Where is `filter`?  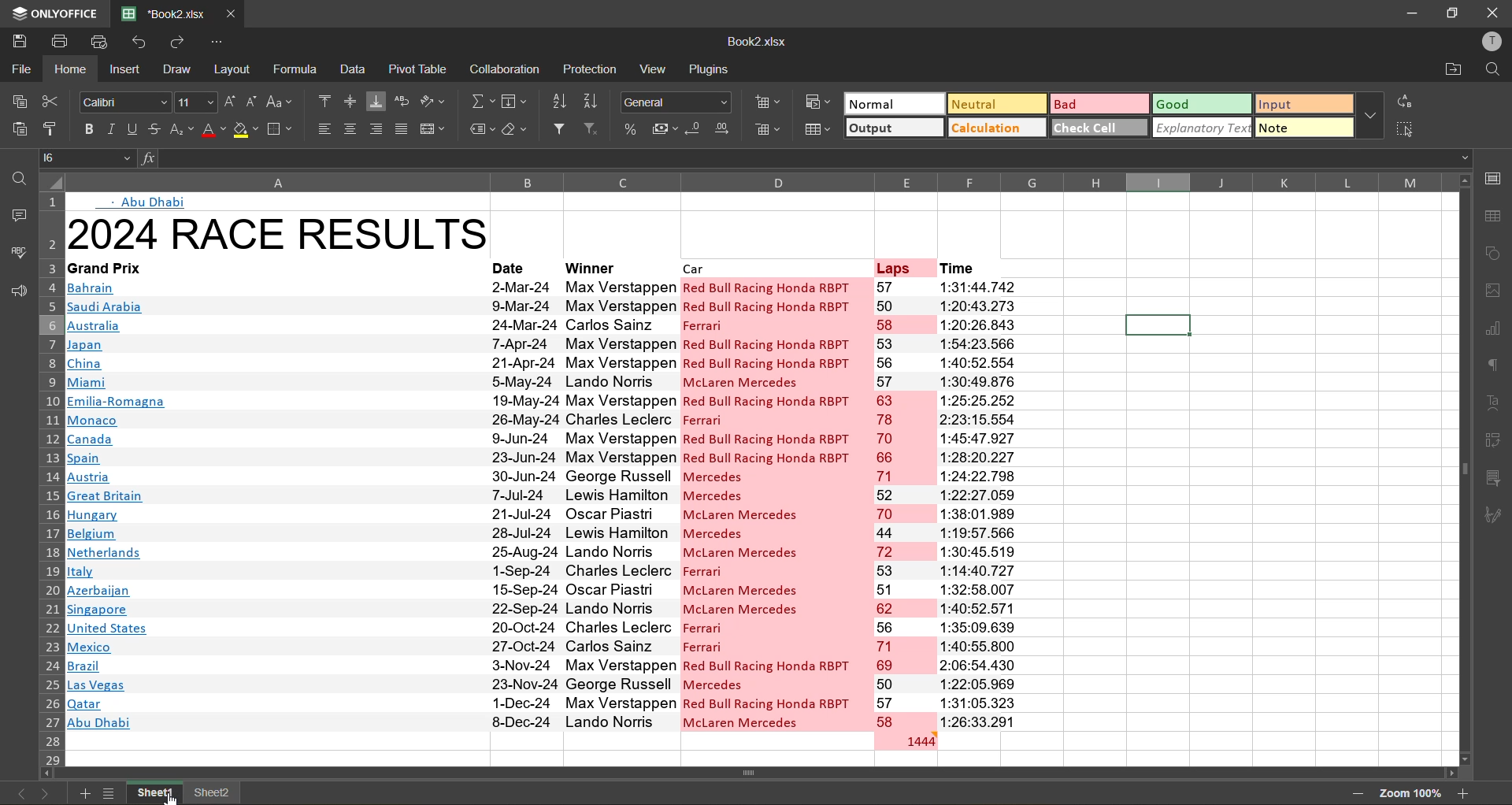 filter is located at coordinates (561, 129).